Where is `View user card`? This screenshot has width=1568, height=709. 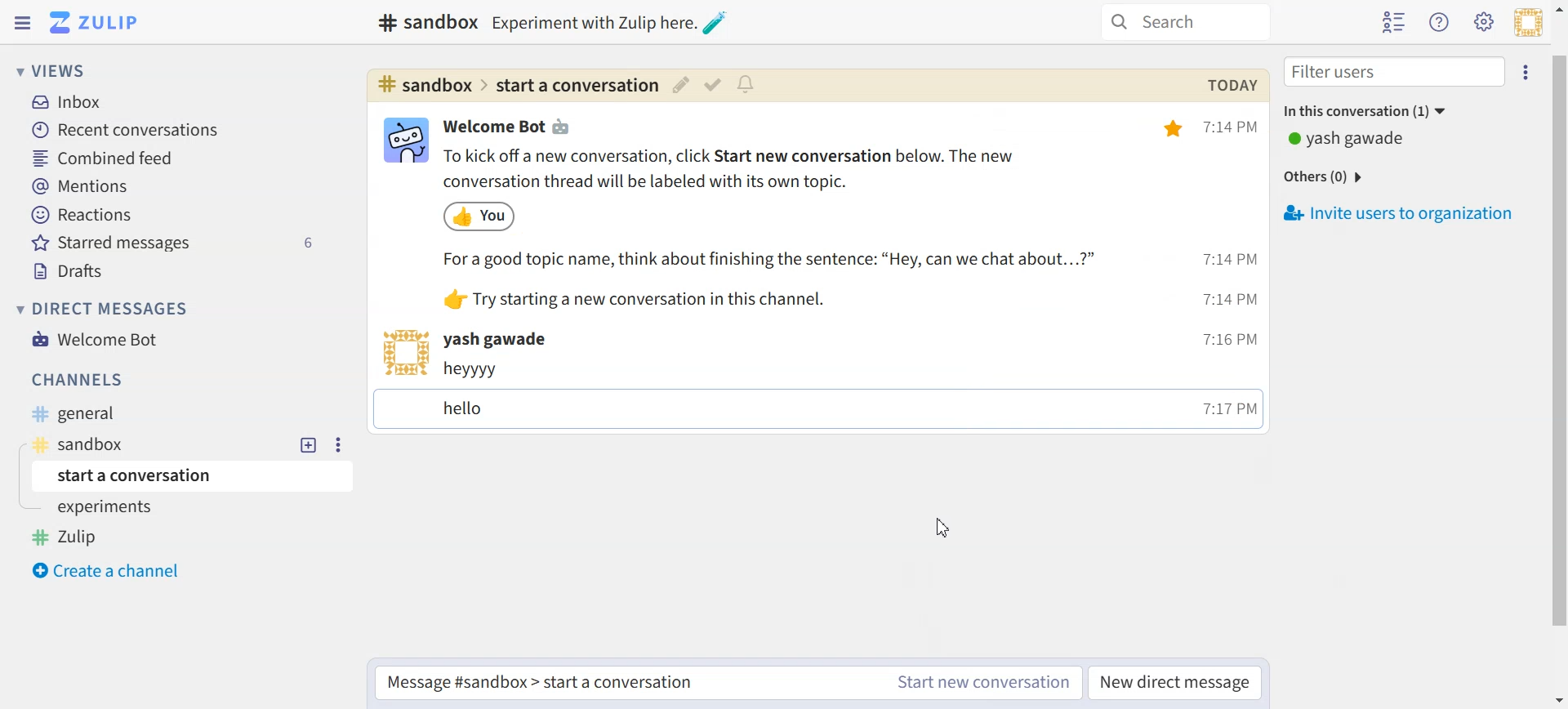
View user card is located at coordinates (403, 352).